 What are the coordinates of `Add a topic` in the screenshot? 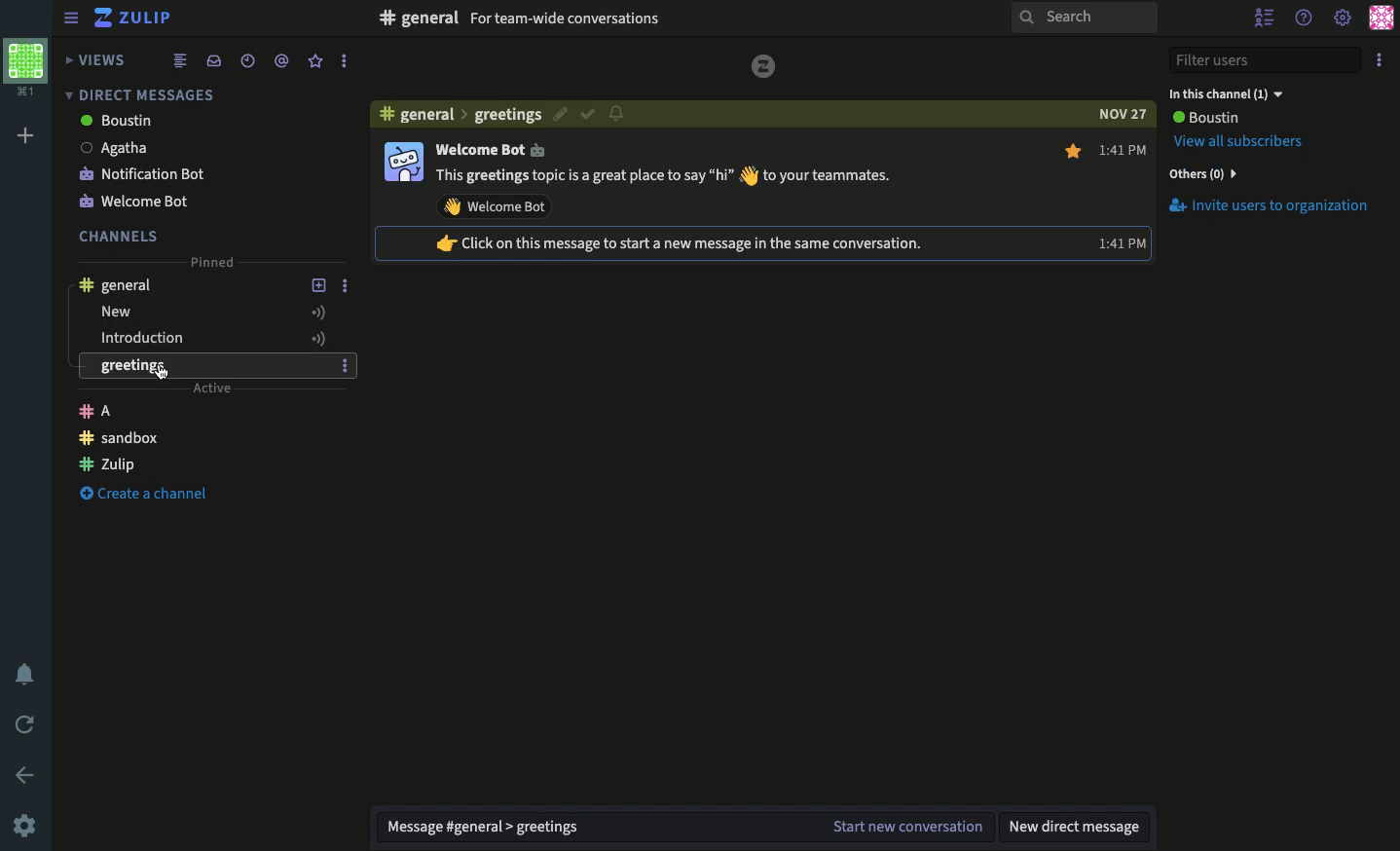 It's located at (318, 285).